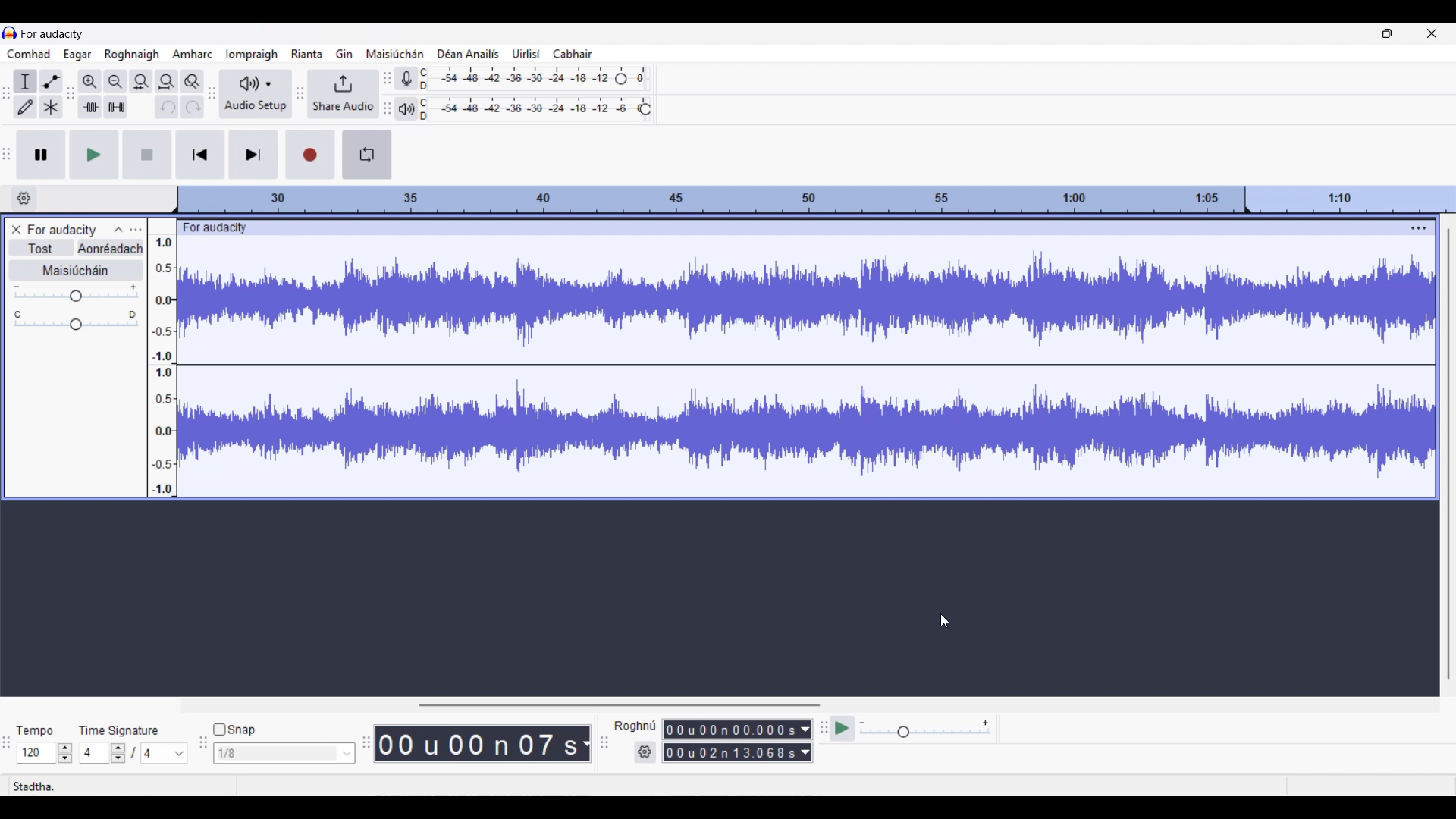  Describe the element at coordinates (77, 271) in the screenshot. I see `Effects` at that location.